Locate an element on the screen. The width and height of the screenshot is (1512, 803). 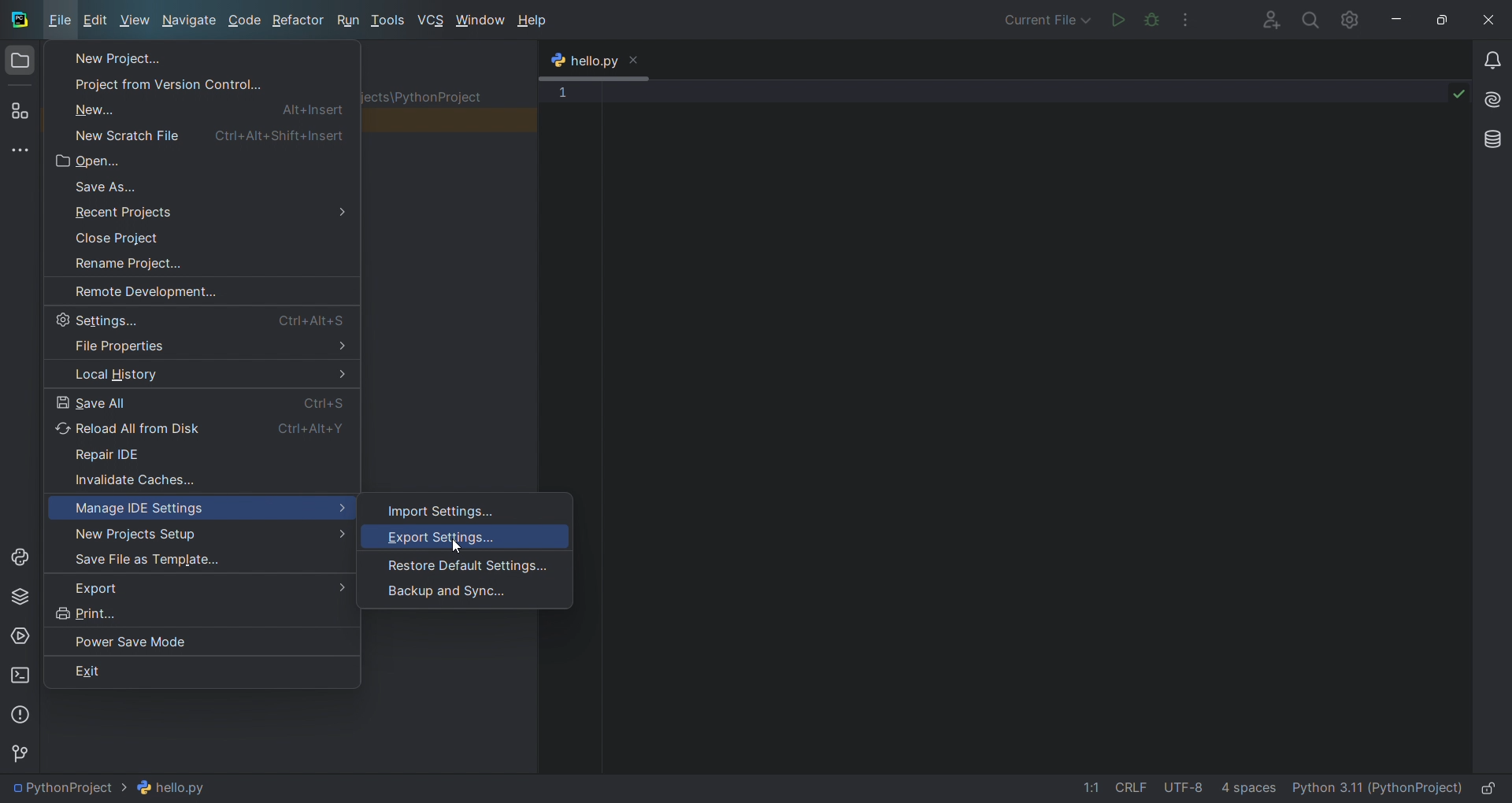
search is located at coordinates (1309, 19).